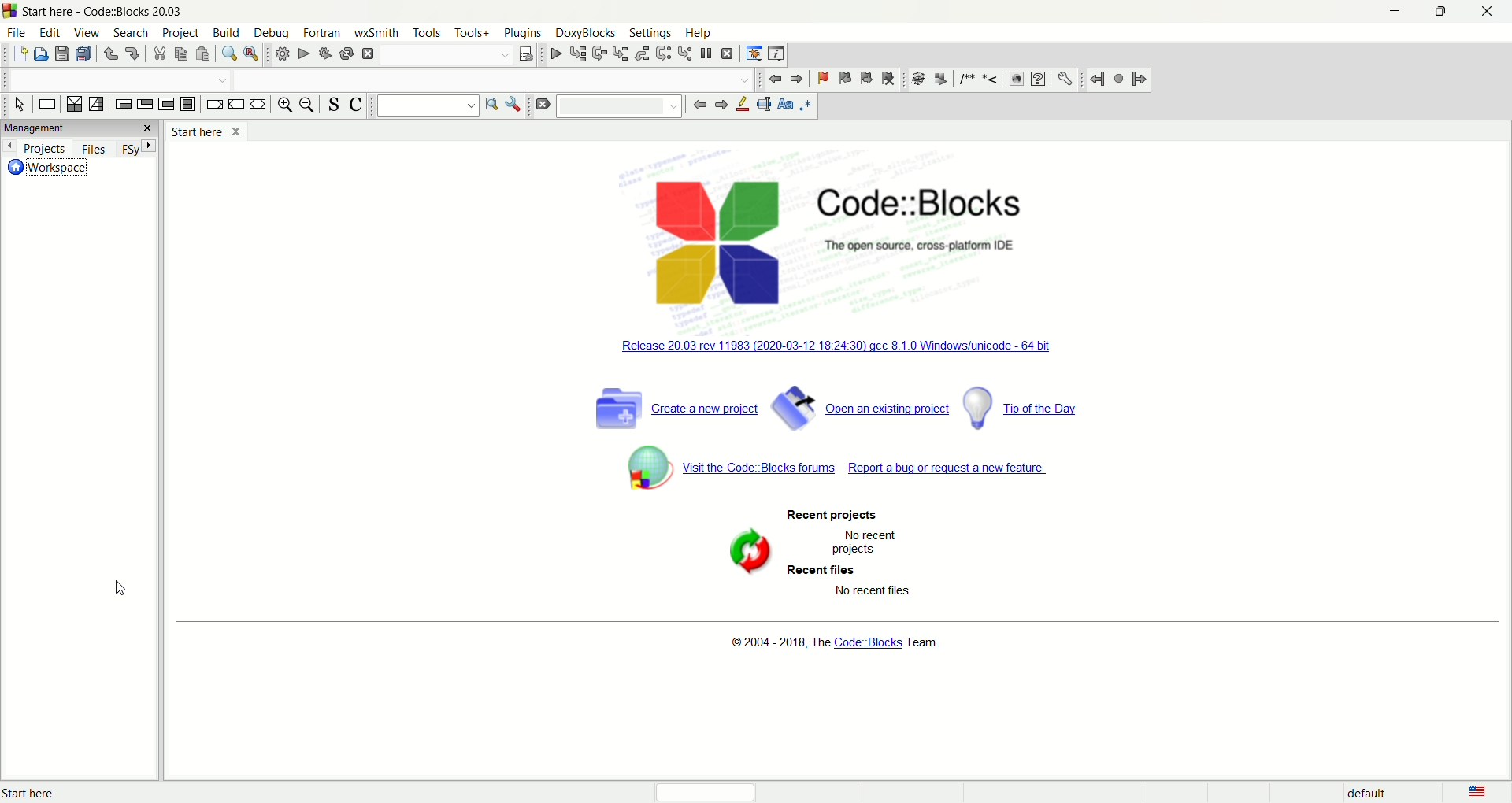  I want to click on language, so click(1485, 793).